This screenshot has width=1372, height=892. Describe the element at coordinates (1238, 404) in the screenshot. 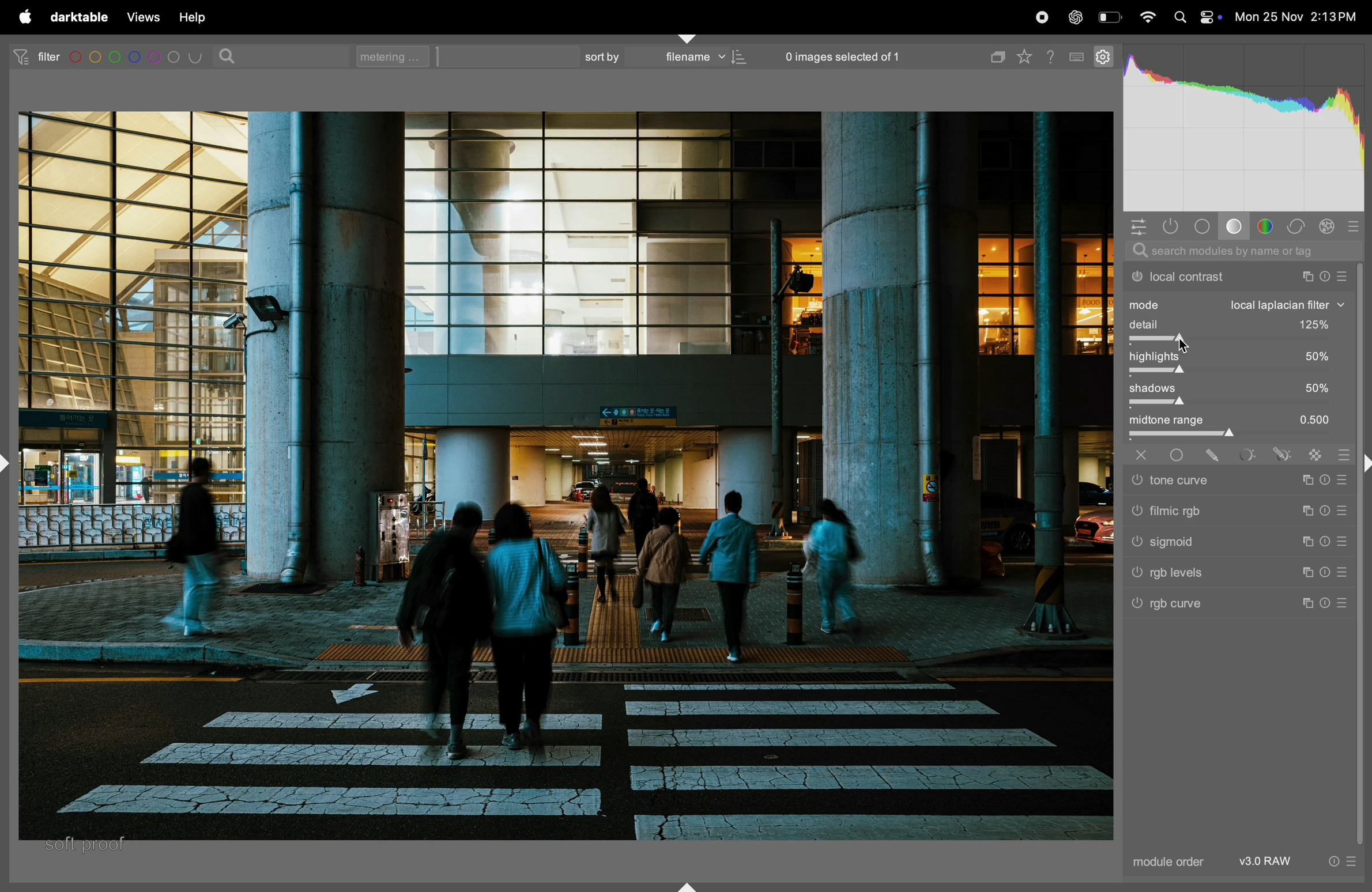

I see `toggle` at that location.